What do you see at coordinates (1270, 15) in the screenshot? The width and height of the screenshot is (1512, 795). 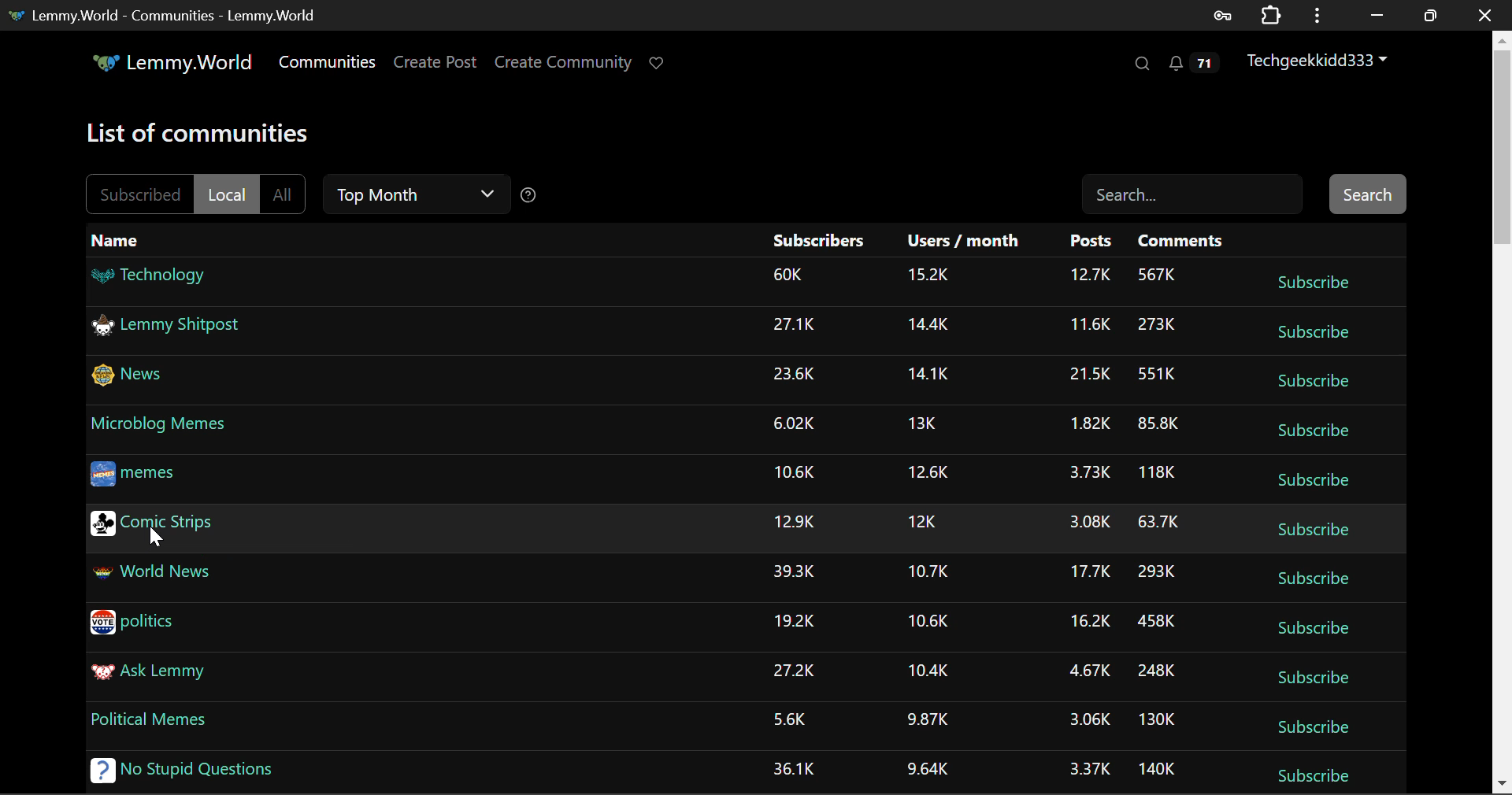 I see `Extensions` at bounding box center [1270, 15].